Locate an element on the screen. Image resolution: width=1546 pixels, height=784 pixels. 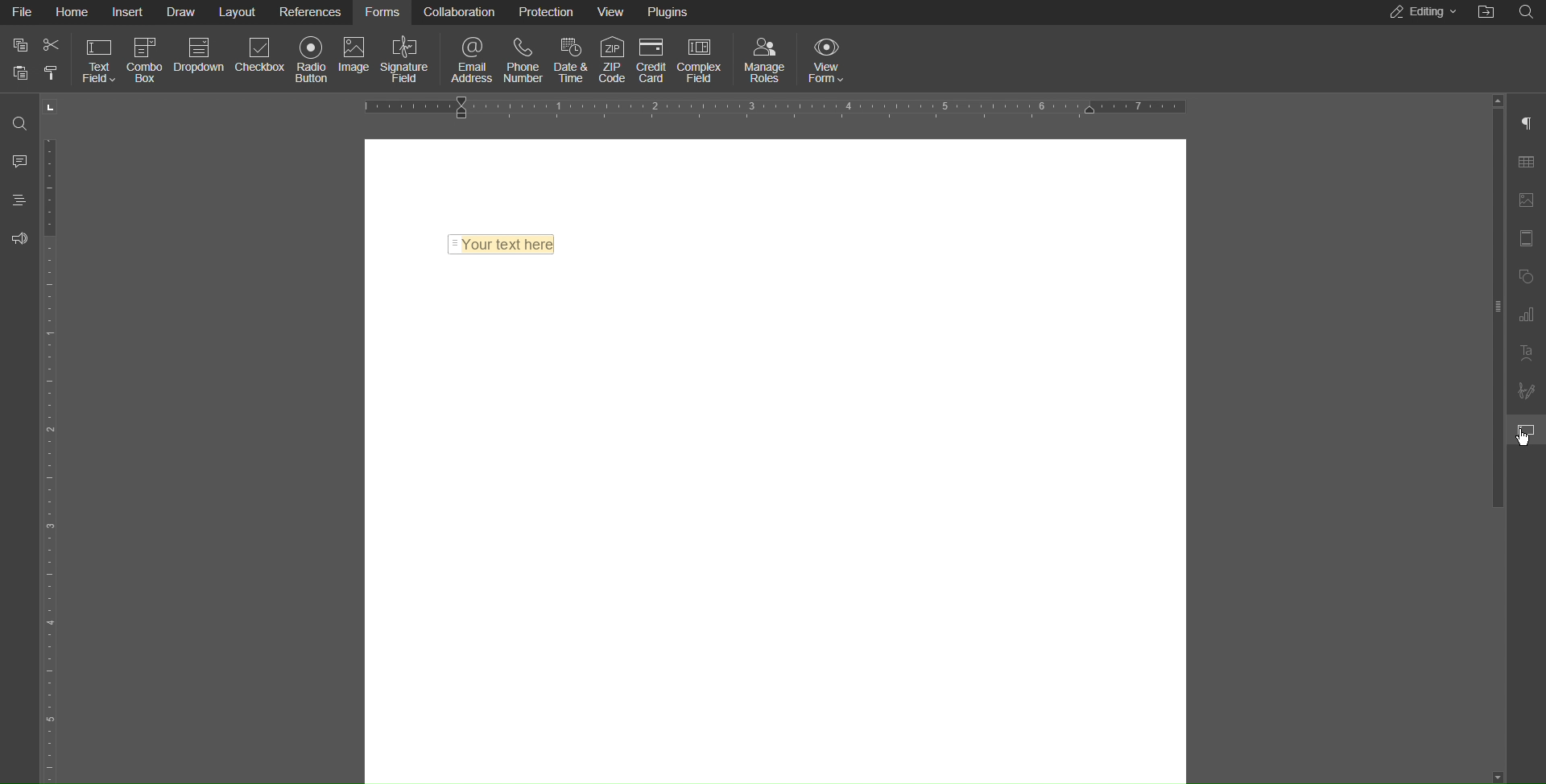
cut is located at coordinates (52, 45).